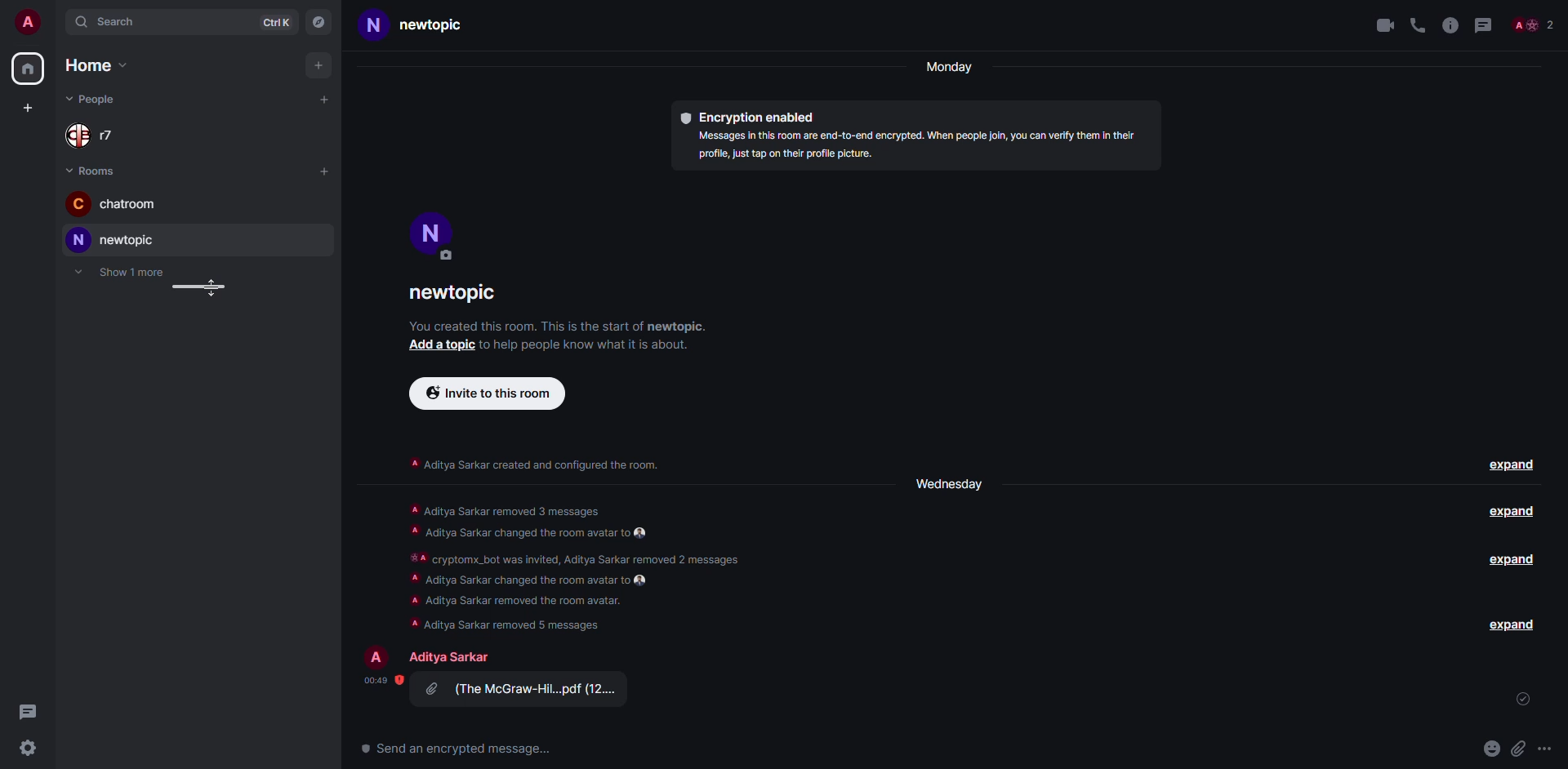 Image resolution: width=1568 pixels, height=769 pixels. What do you see at coordinates (29, 749) in the screenshot?
I see `settings` at bounding box center [29, 749].